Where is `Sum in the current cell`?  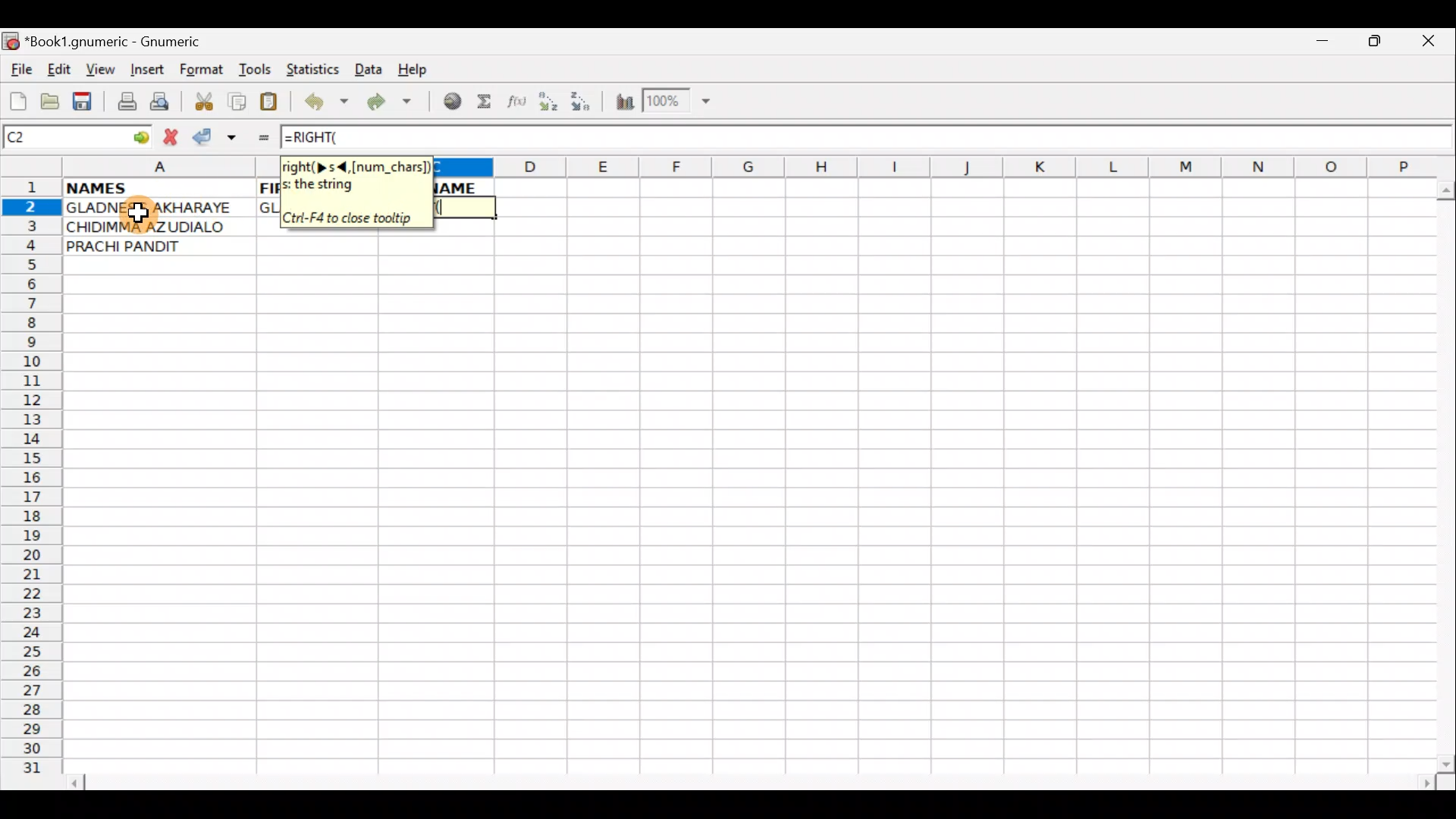 Sum in the current cell is located at coordinates (489, 102).